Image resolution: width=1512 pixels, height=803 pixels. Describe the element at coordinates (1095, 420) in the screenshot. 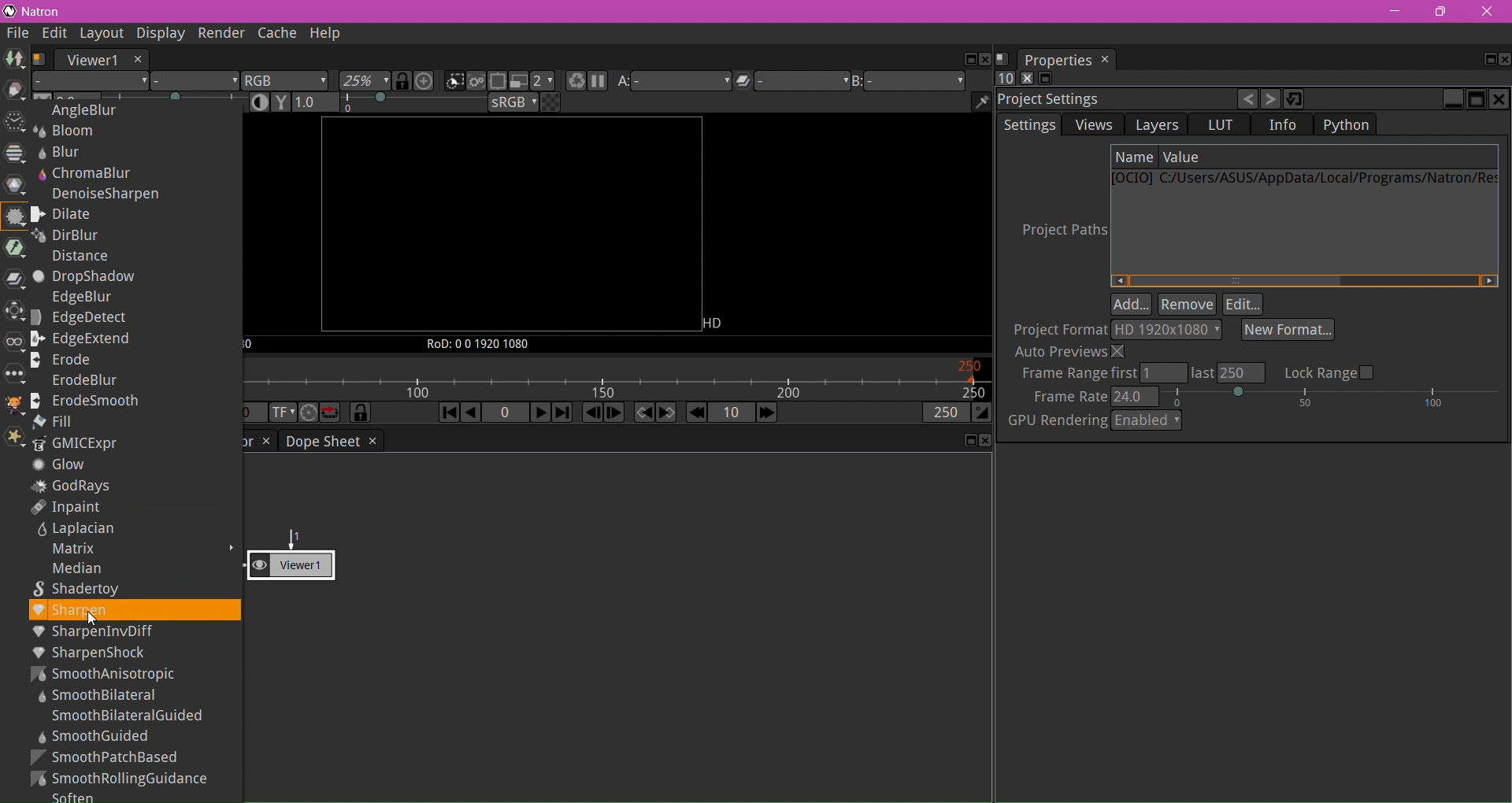

I see `GPU Rendering -enable/disable` at that location.